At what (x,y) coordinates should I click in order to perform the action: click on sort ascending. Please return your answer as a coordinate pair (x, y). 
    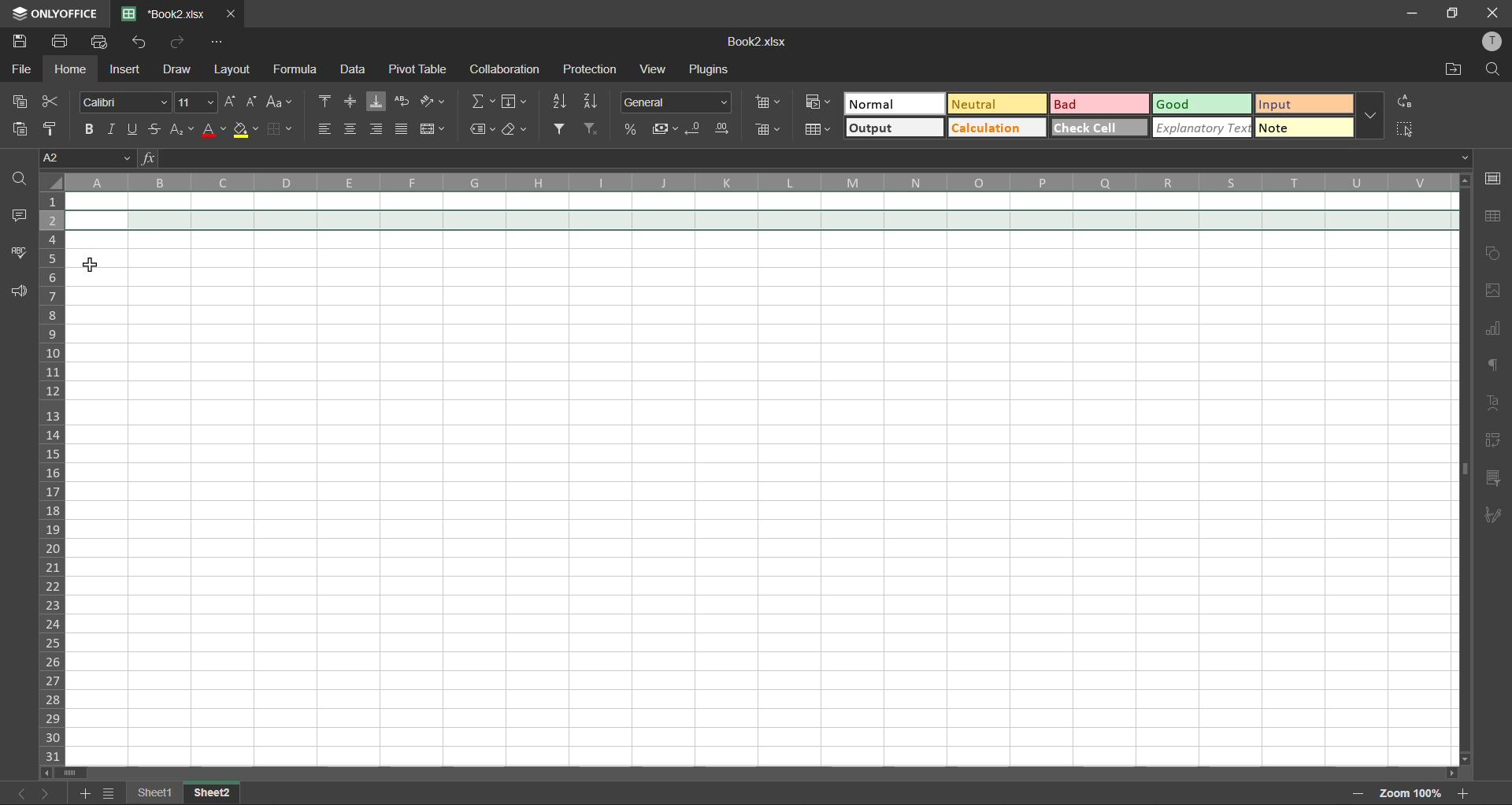
    Looking at the image, I should click on (562, 102).